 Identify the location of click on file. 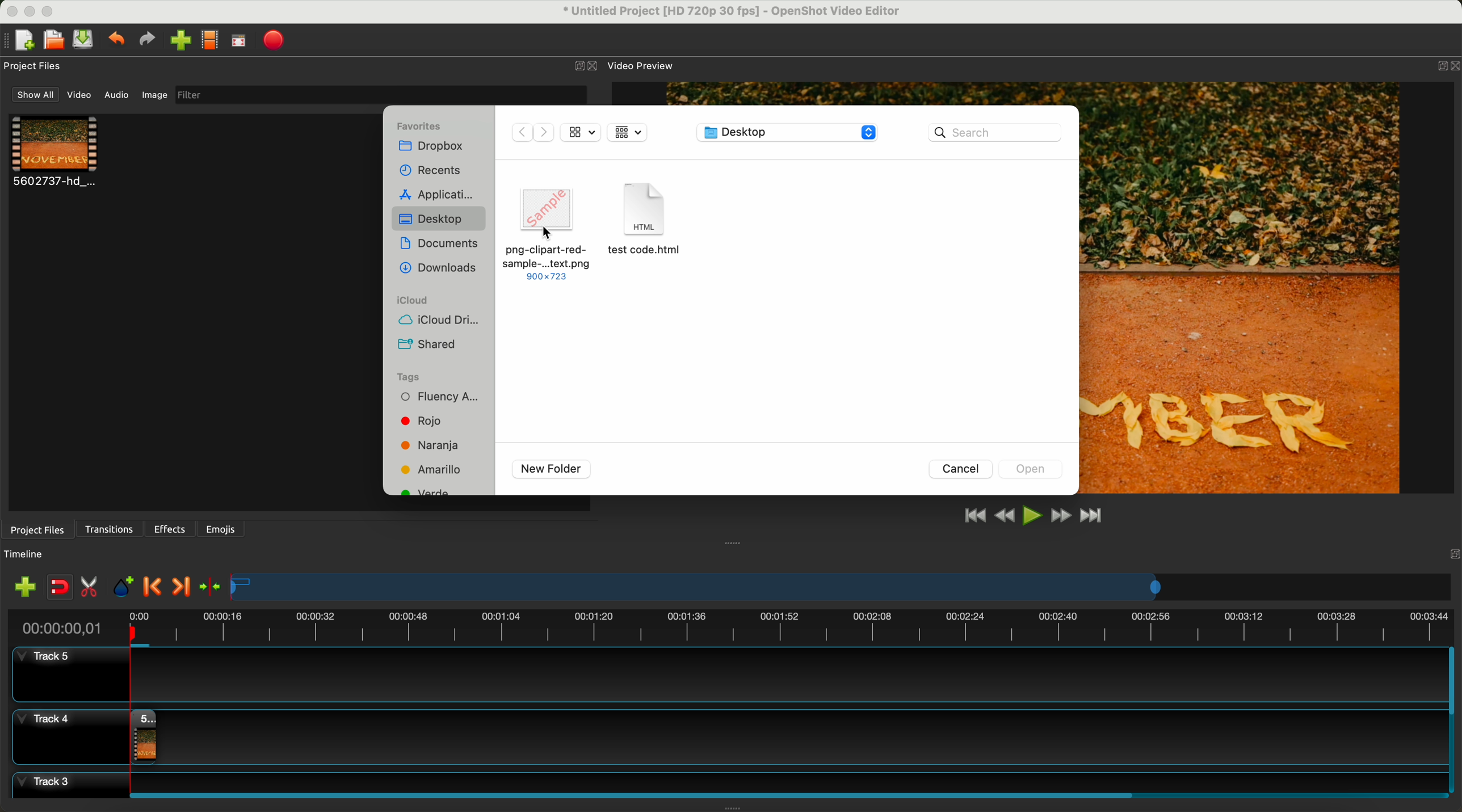
(547, 232).